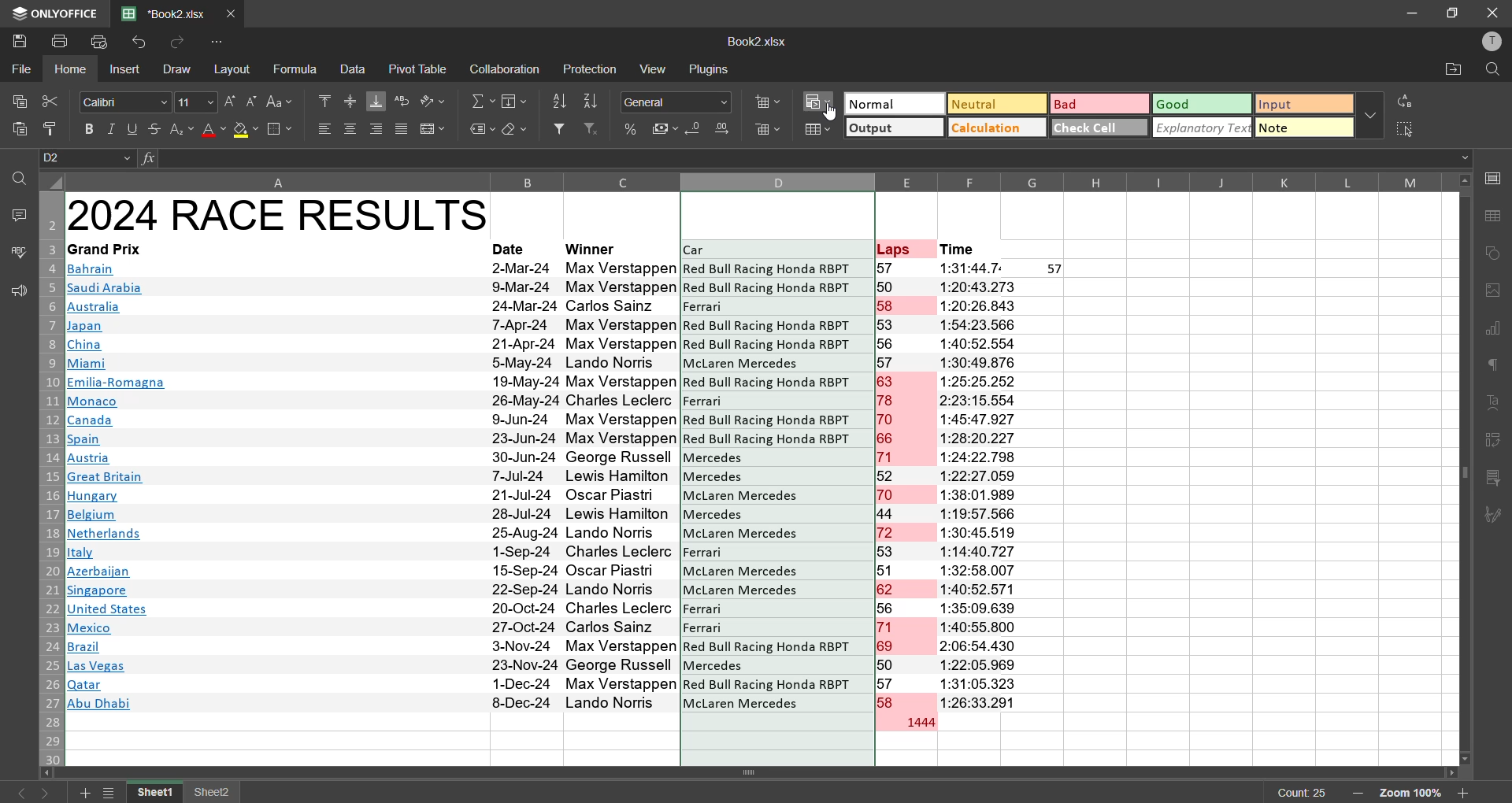 This screenshot has width=1512, height=803. What do you see at coordinates (559, 102) in the screenshot?
I see `sort ascending` at bounding box center [559, 102].